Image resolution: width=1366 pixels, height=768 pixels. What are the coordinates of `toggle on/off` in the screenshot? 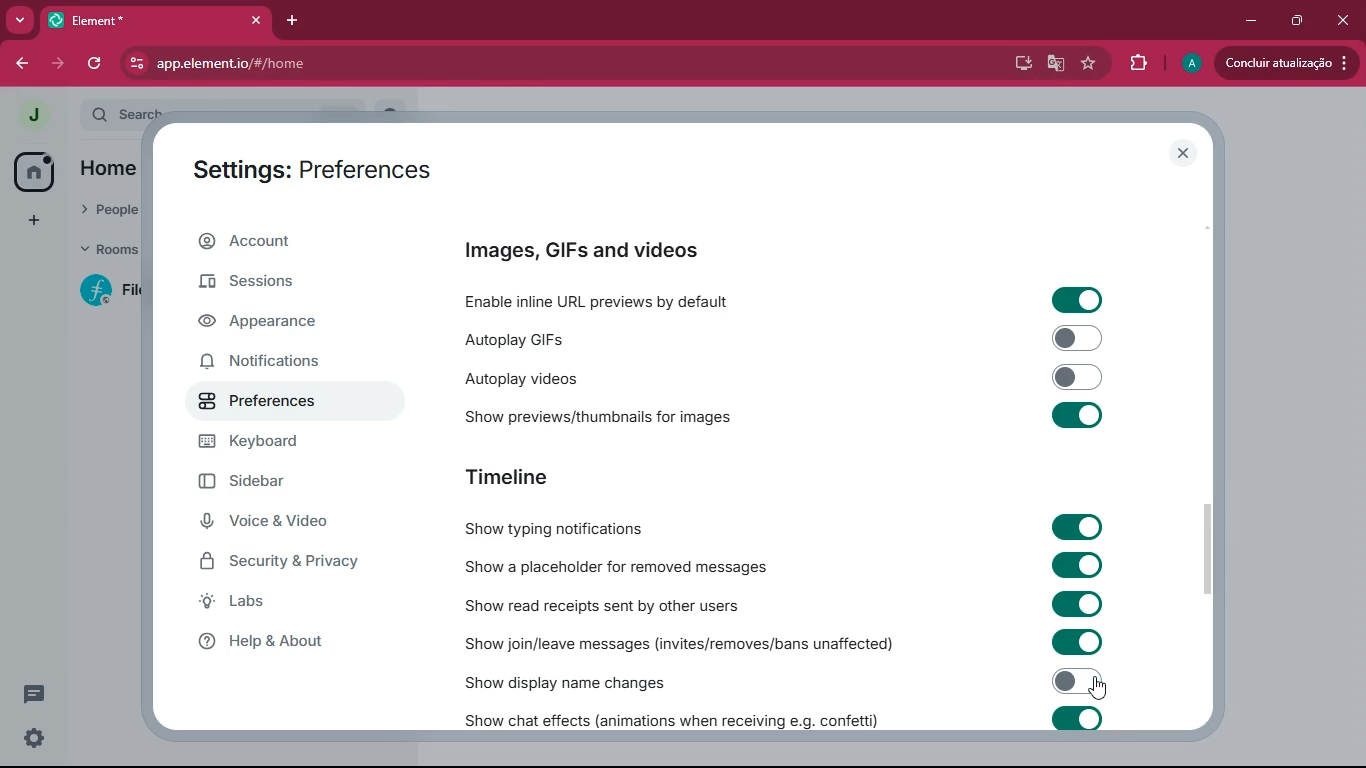 It's located at (1079, 377).